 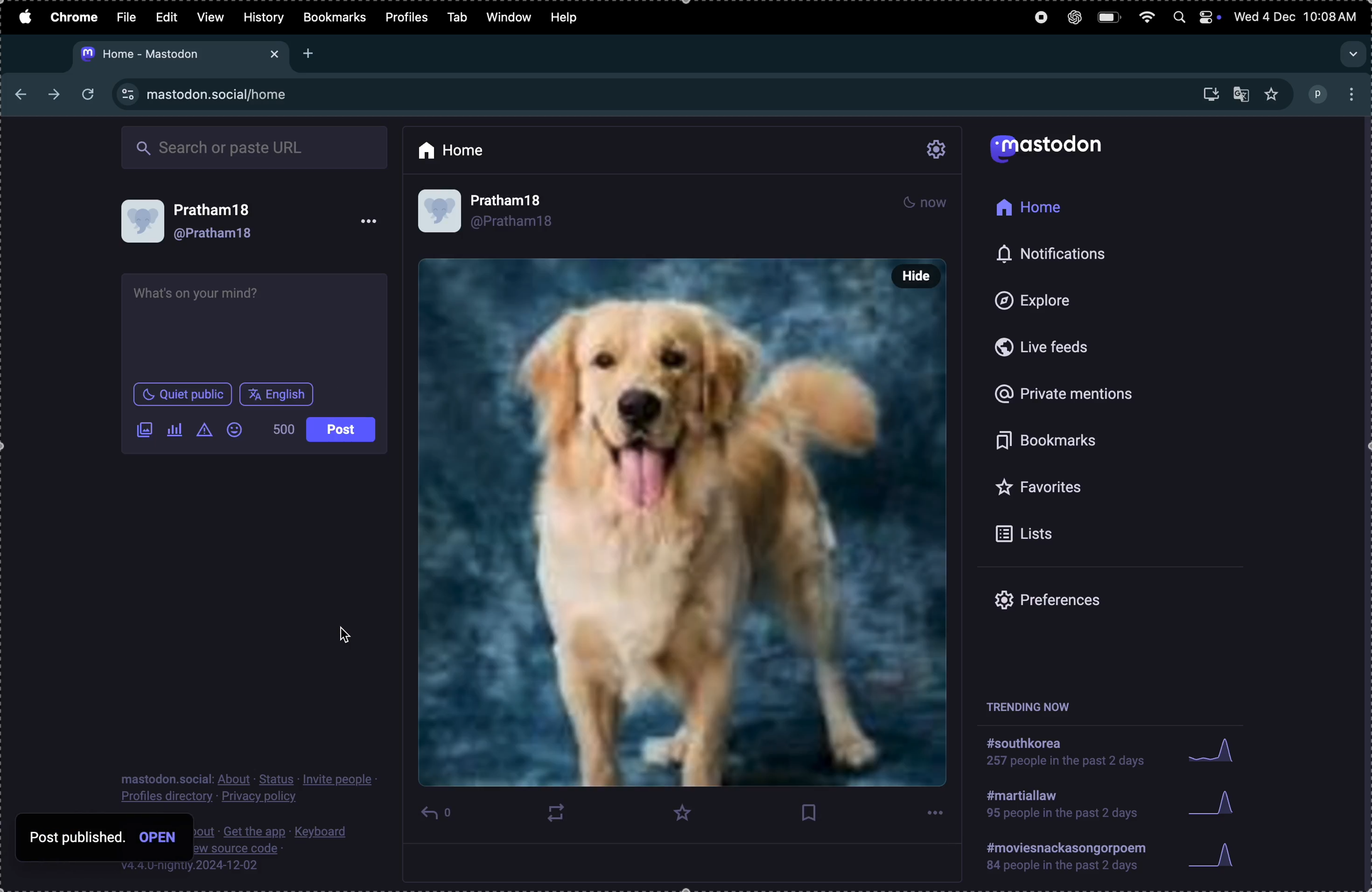 I want to click on # southkorea, so click(x=1064, y=756).